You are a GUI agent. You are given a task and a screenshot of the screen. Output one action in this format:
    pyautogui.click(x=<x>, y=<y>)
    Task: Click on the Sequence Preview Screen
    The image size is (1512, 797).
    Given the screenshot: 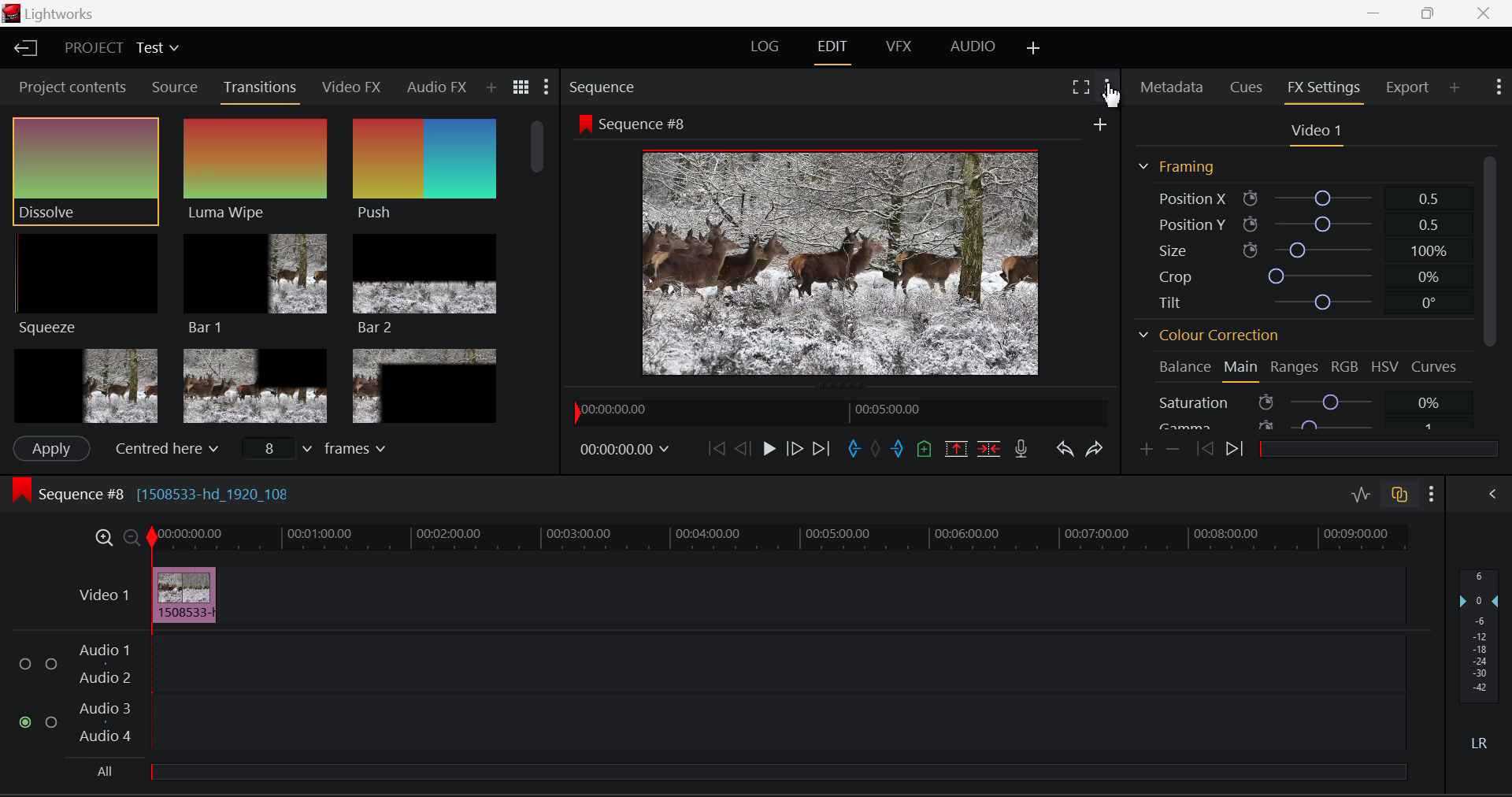 What is the action you would take?
    pyautogui.click(x=844, y=263)
    